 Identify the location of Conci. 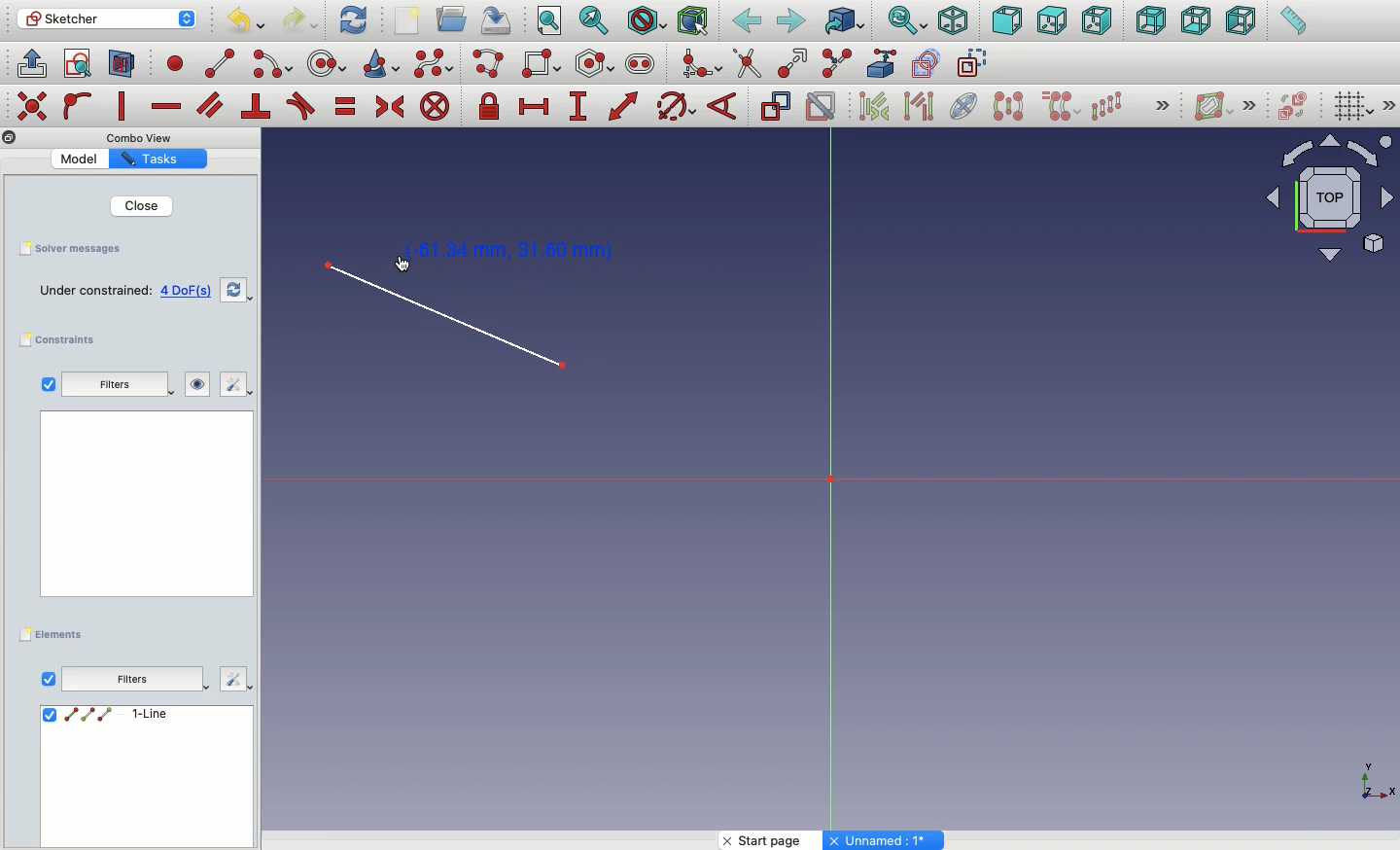
(382, 63).